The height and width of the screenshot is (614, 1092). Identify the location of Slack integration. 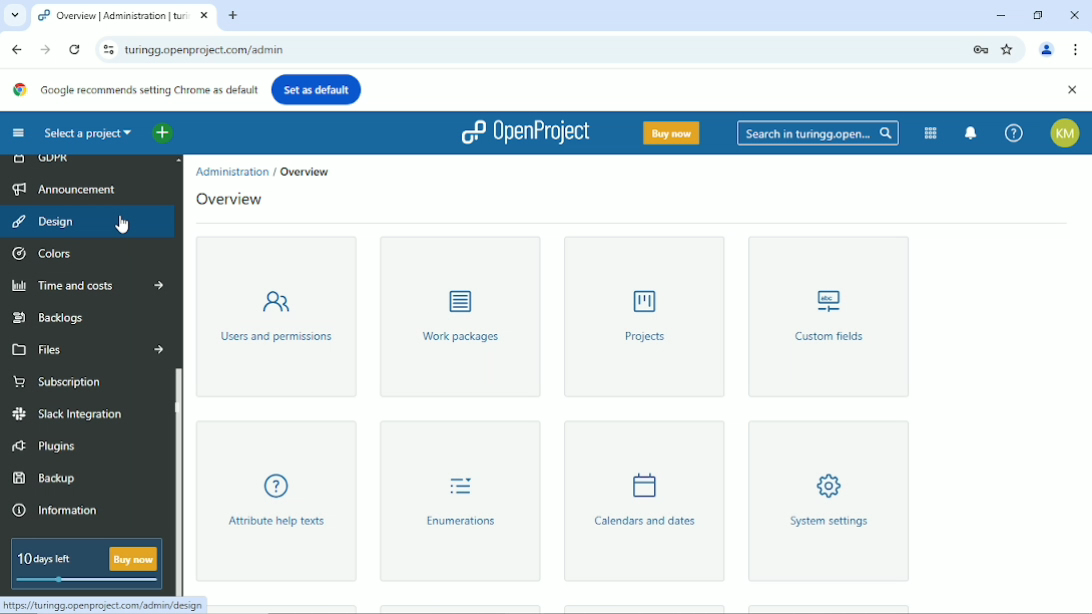
(68, 414).